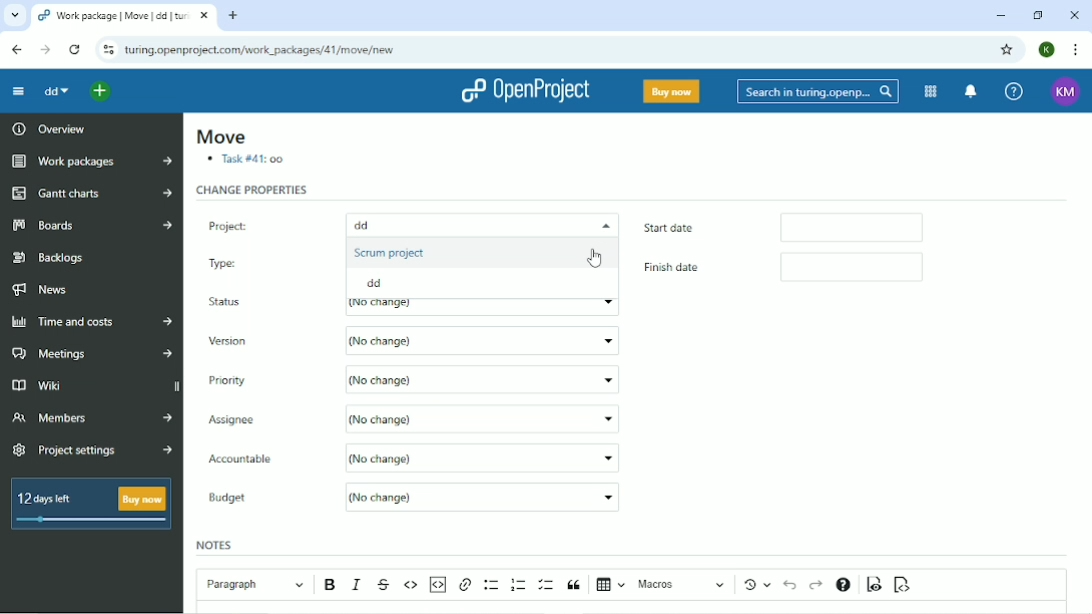 Image resolution: width=1092 pixels, height=614 pixels. Describe the element at coordinates (76, 50) in the screenshot. I see `reload this page` at that location.